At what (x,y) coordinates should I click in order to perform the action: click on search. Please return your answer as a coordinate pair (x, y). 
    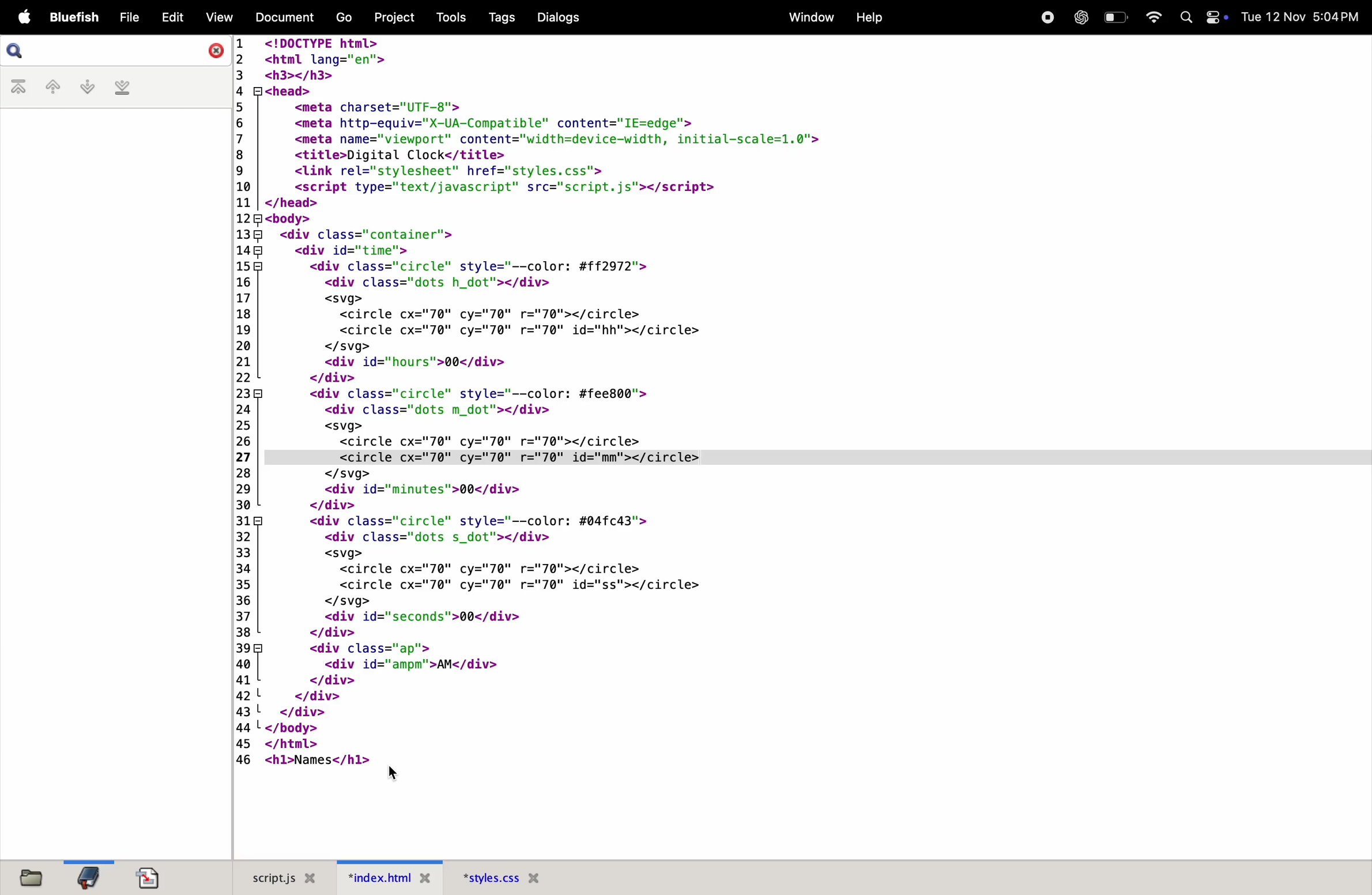
    Looking at the image, I should click on (26, 51).